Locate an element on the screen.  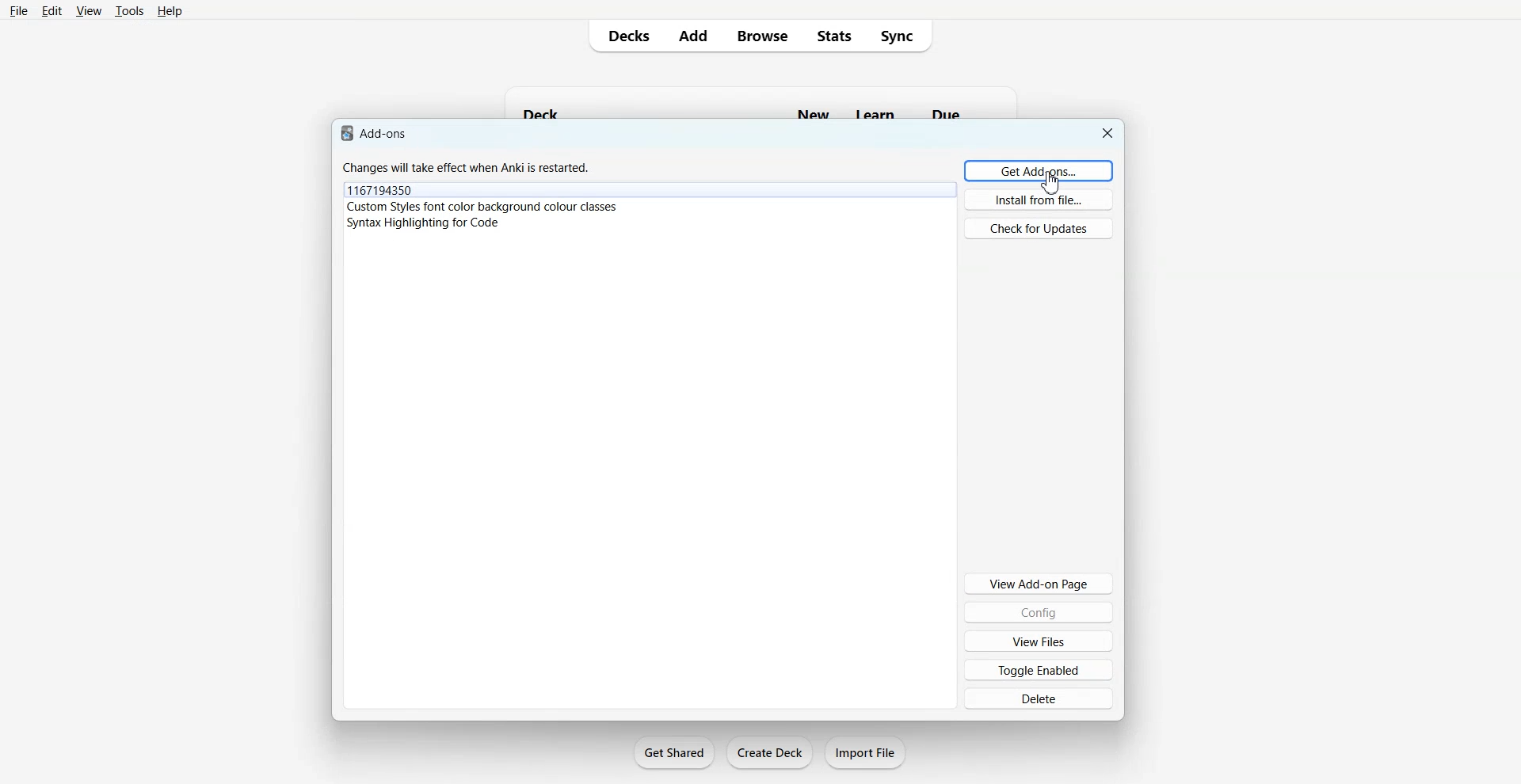
Help is located at coordinates (169, 11).